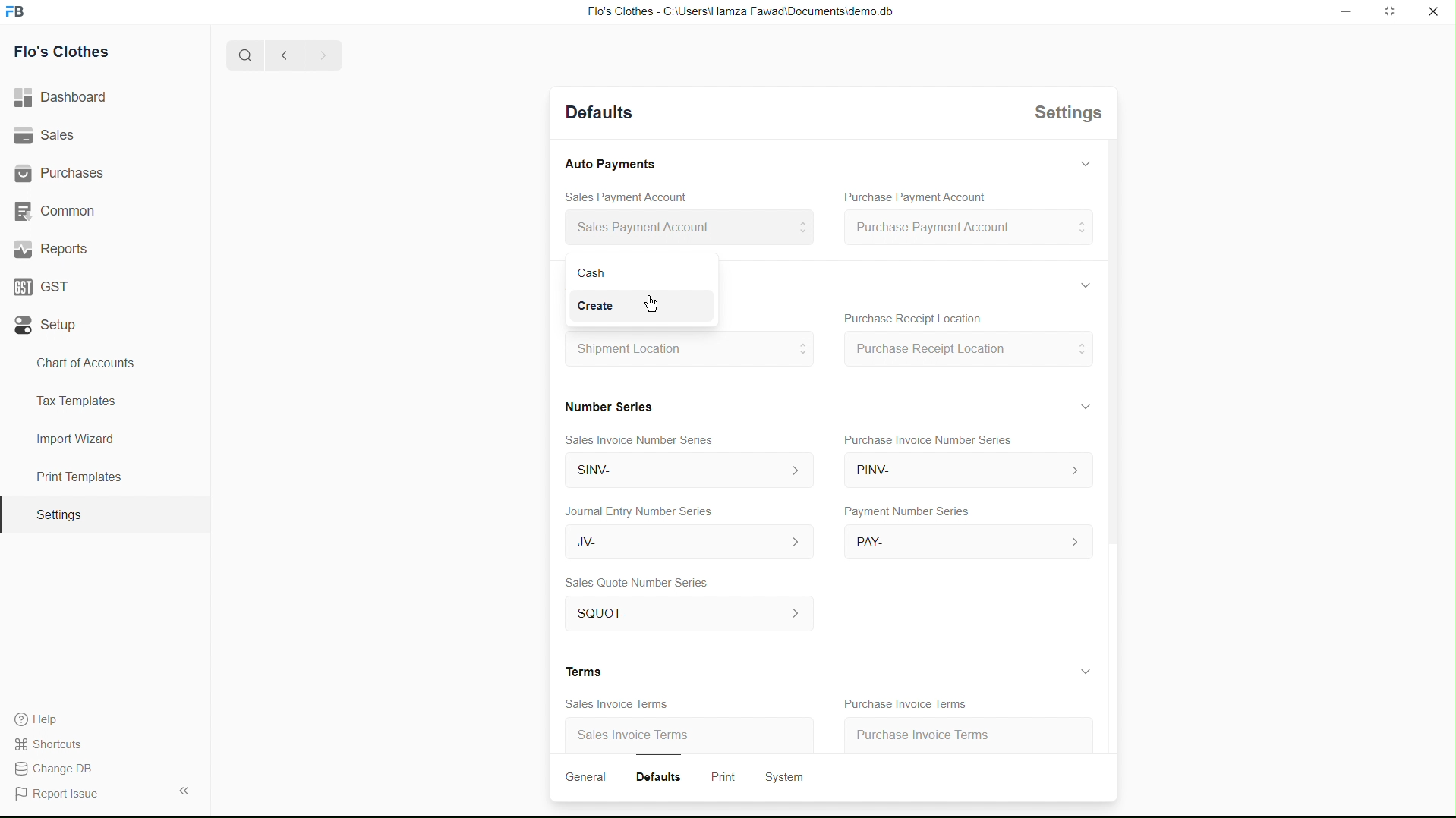 The image size is (1456, 818). I want to click on Import Wizard, so click(75, 439).